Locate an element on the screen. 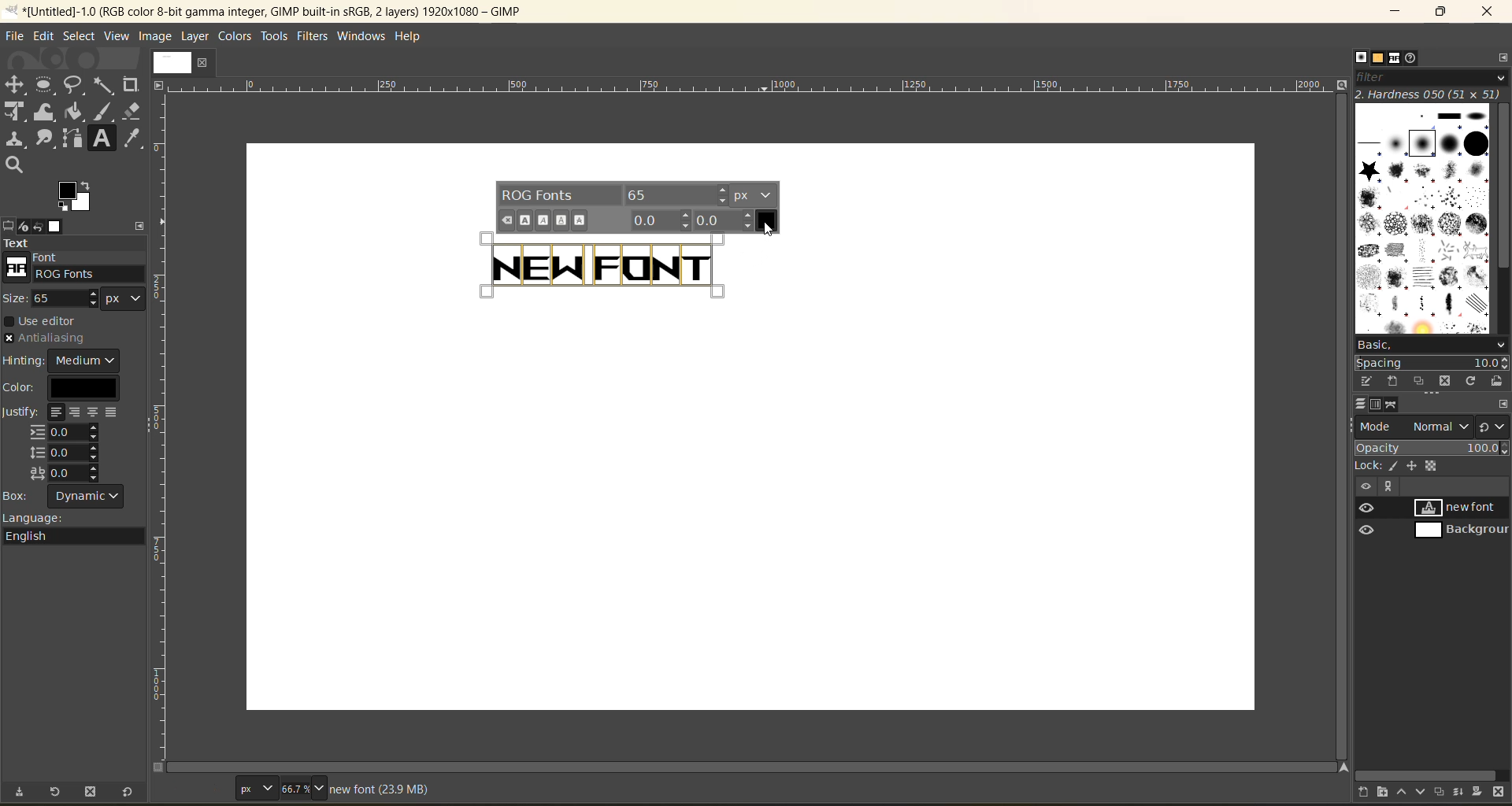  scale is located at coordinates (748, 86).